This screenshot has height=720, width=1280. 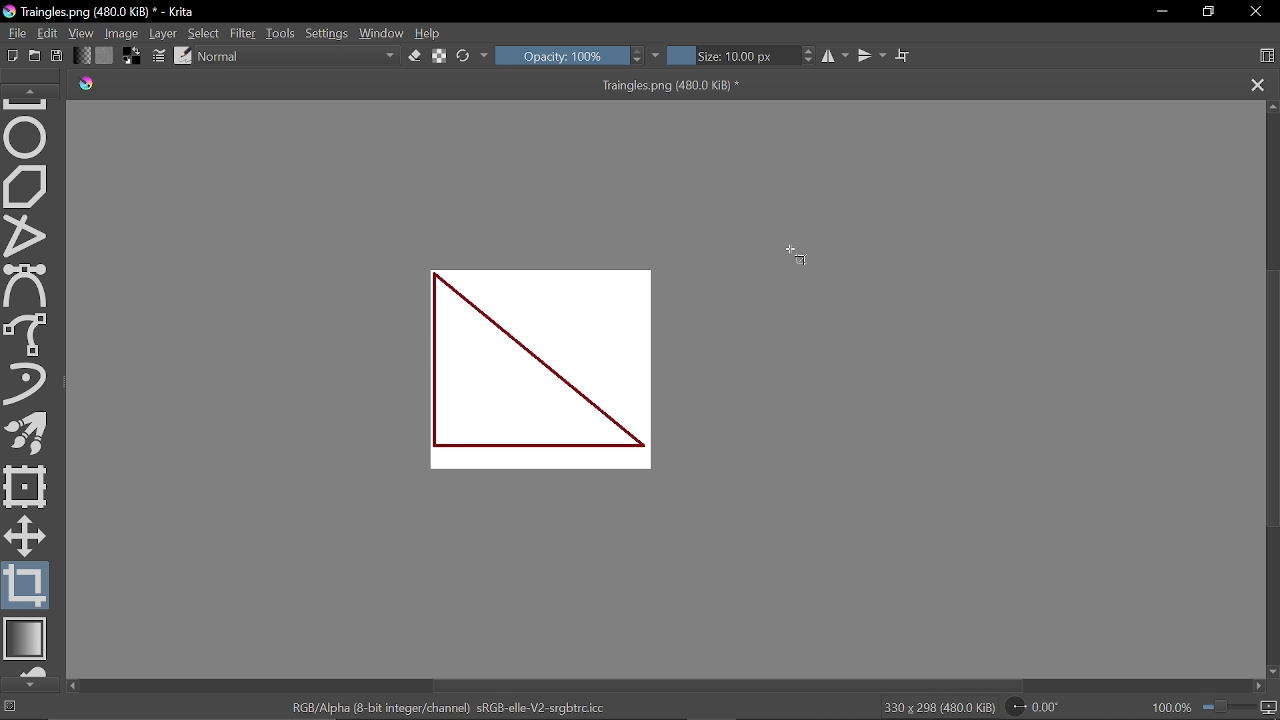 What do you see at coordinates (26, 383) in the screenshot?
I see `Dynamic brush tool` at bounding box center [26, 383].